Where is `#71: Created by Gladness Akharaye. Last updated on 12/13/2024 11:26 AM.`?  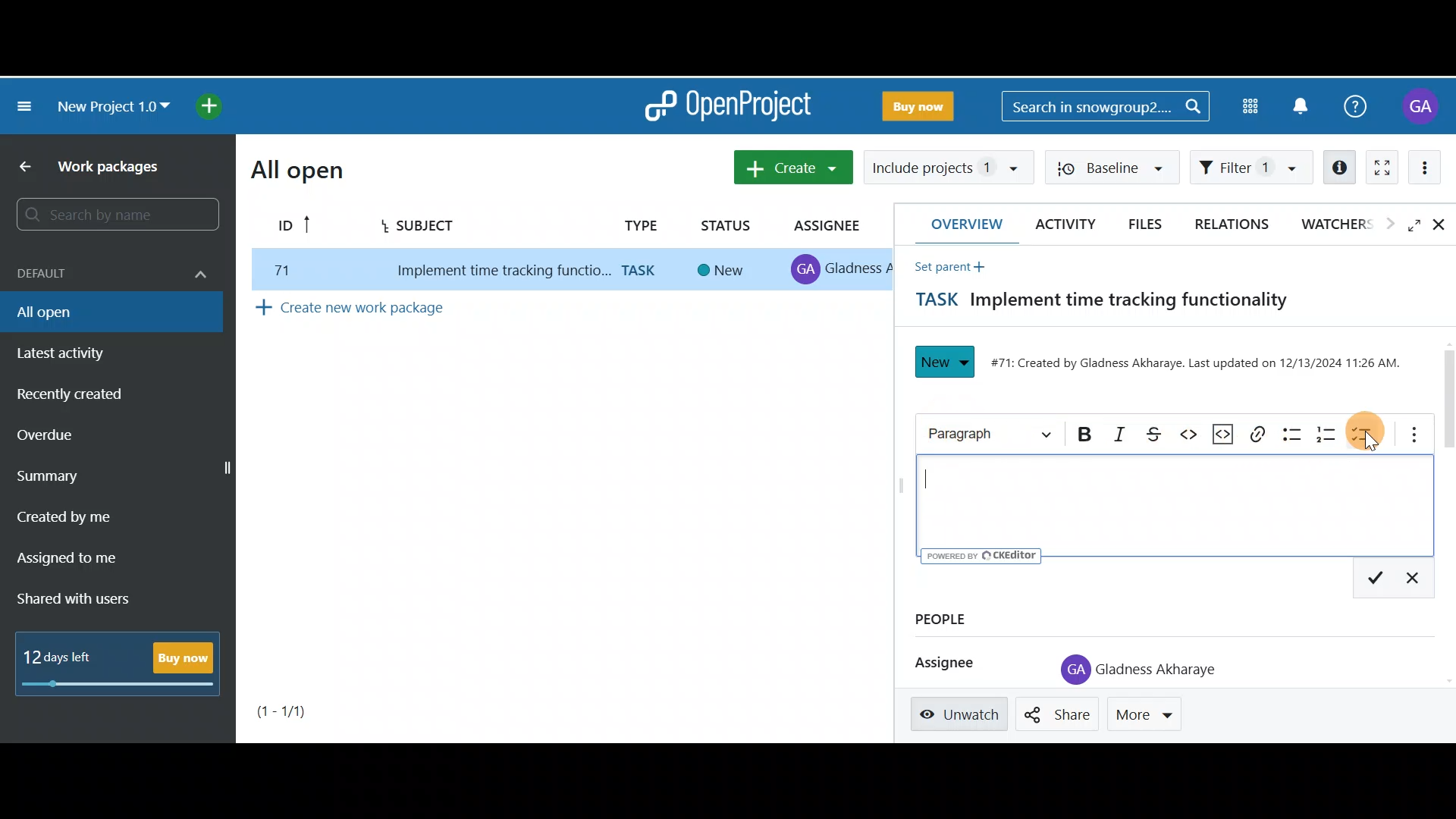 #71: Created by Gladness Akharaye. Last updated on 12/13/2024 11:26 AM. is located at coordinates (1198, 367).